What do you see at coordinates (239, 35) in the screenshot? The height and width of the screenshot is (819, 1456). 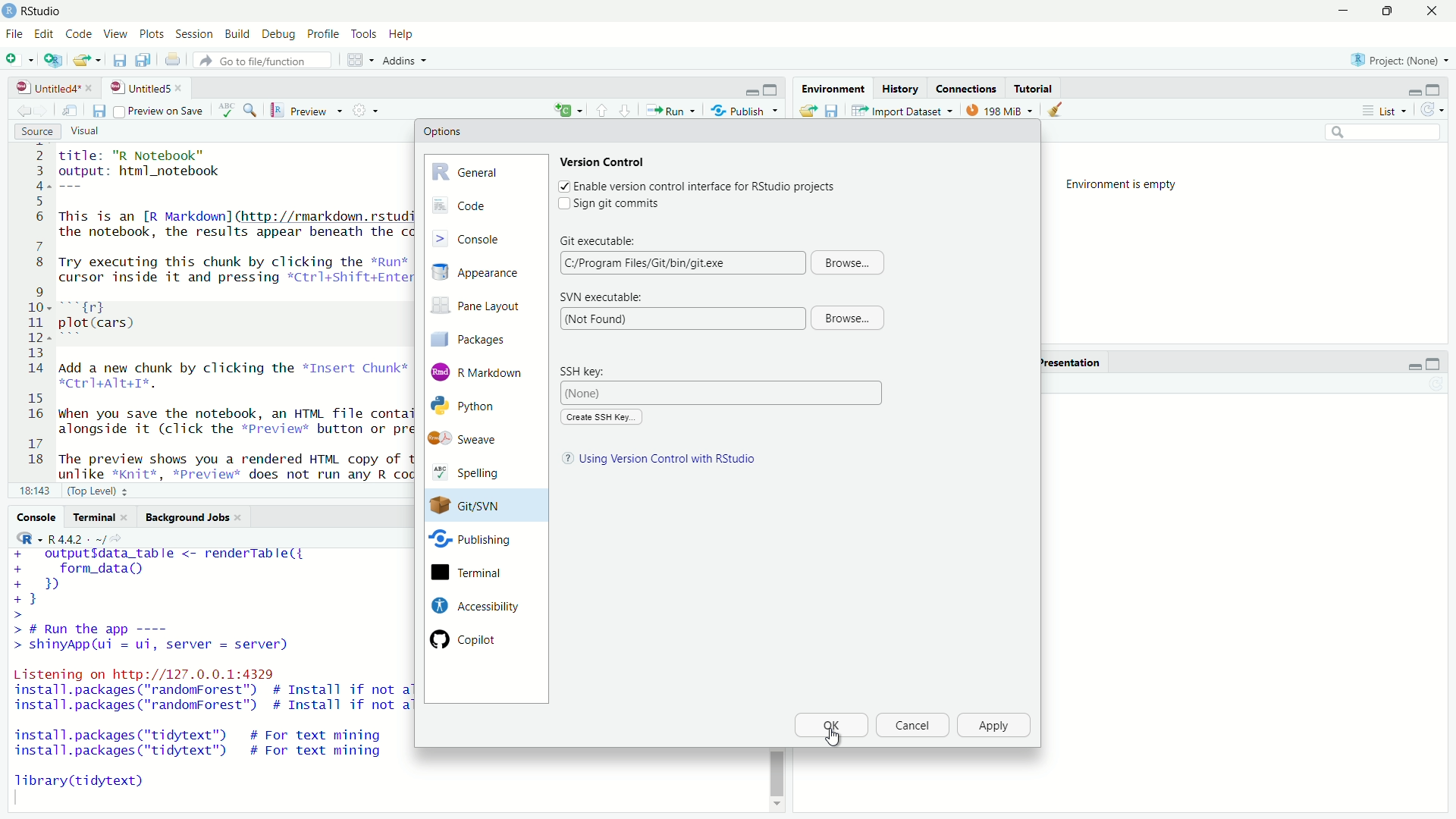 I see `Build` at bounding box center [239, 35].